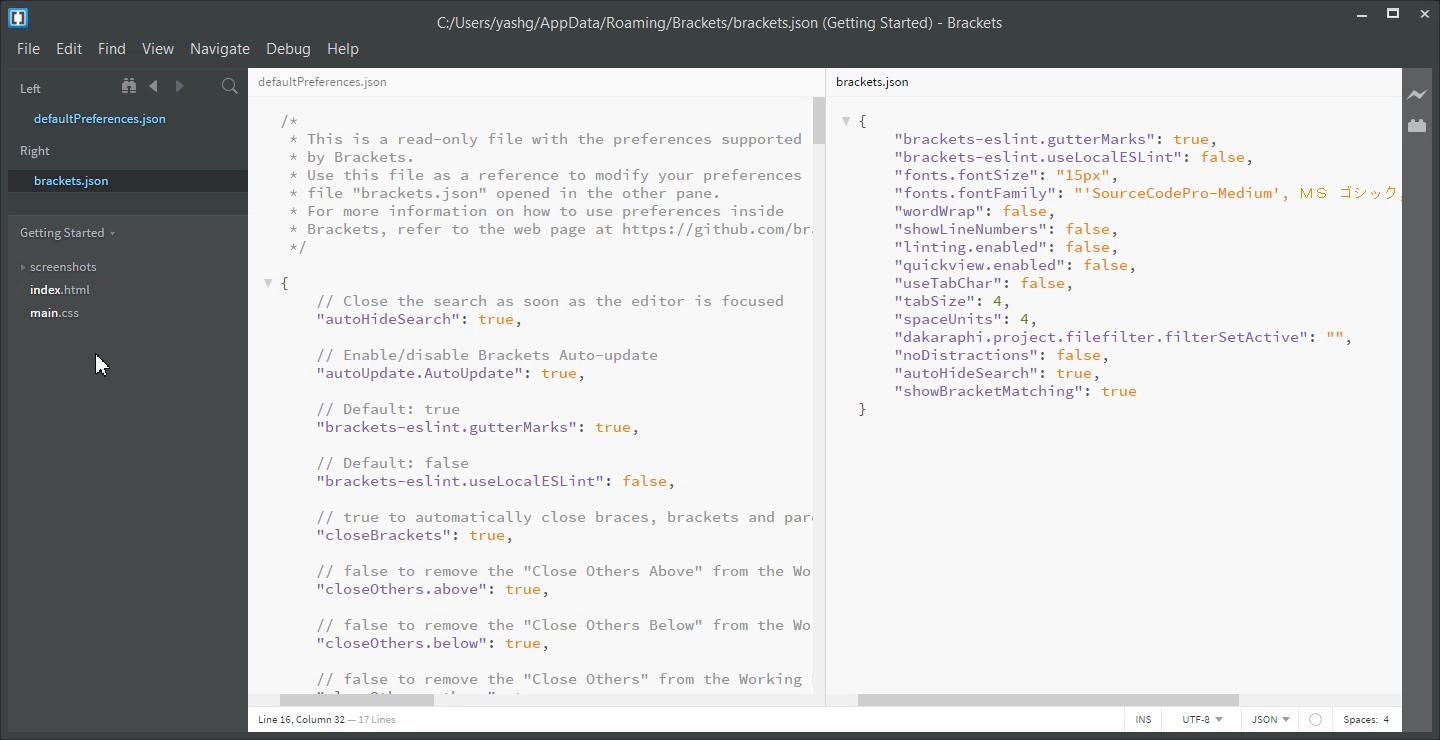 This screenshot has width=1440, height=740. I want to click on main.css, so click(58, 313).